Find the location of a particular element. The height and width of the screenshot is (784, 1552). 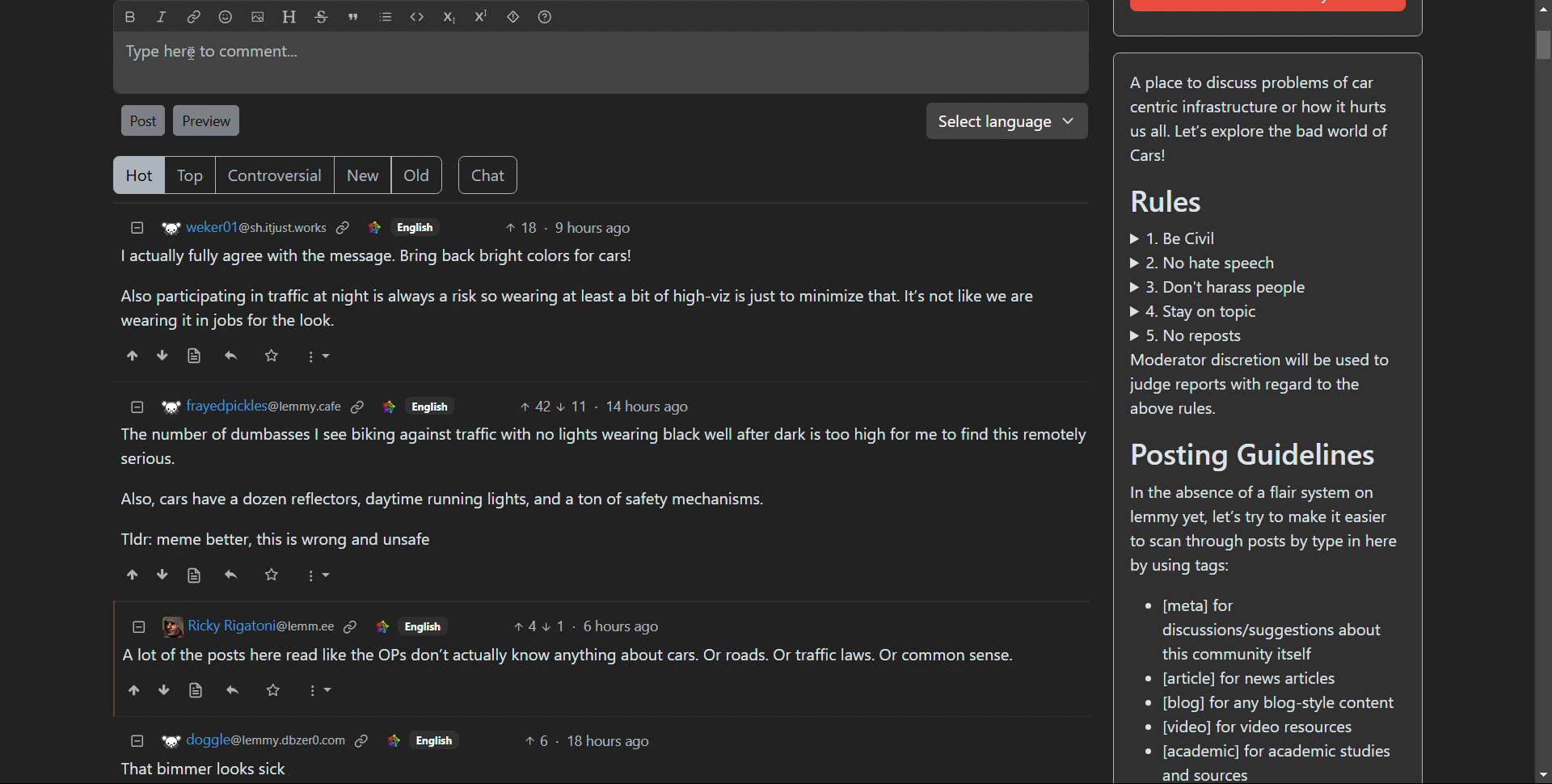

top is located at coordinates (189, 175).